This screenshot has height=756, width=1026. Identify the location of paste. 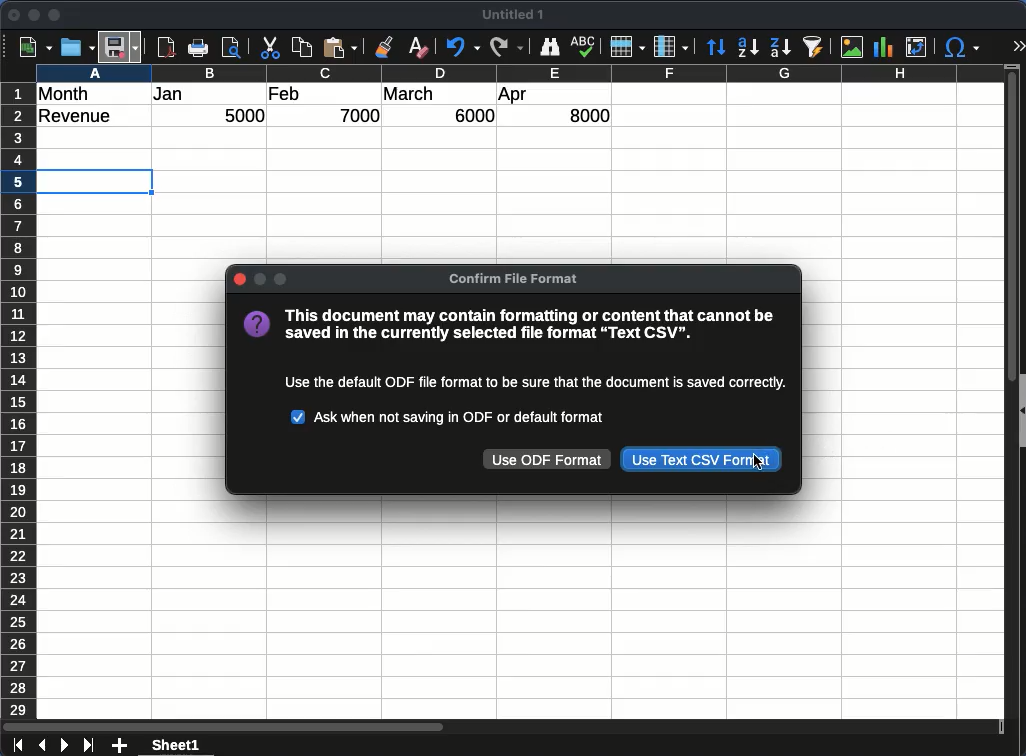
(342, 48).